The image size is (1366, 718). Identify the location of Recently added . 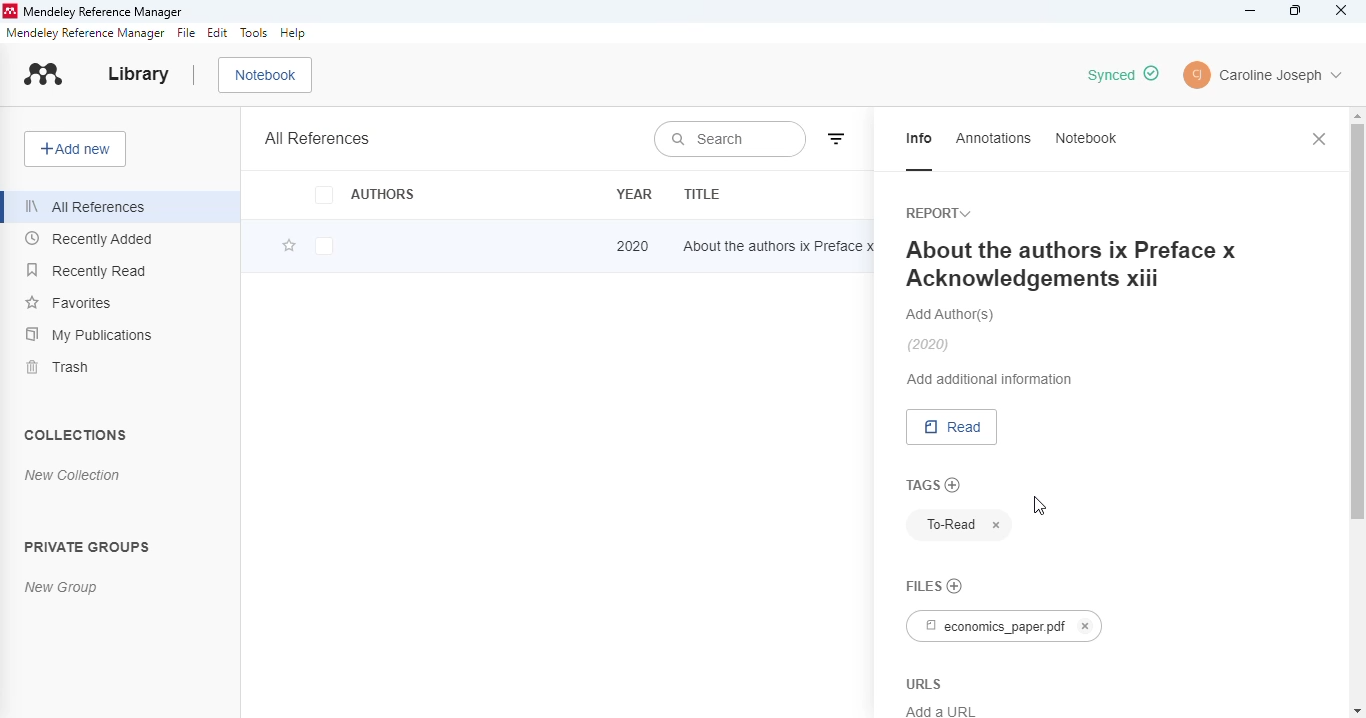
(90, 241).